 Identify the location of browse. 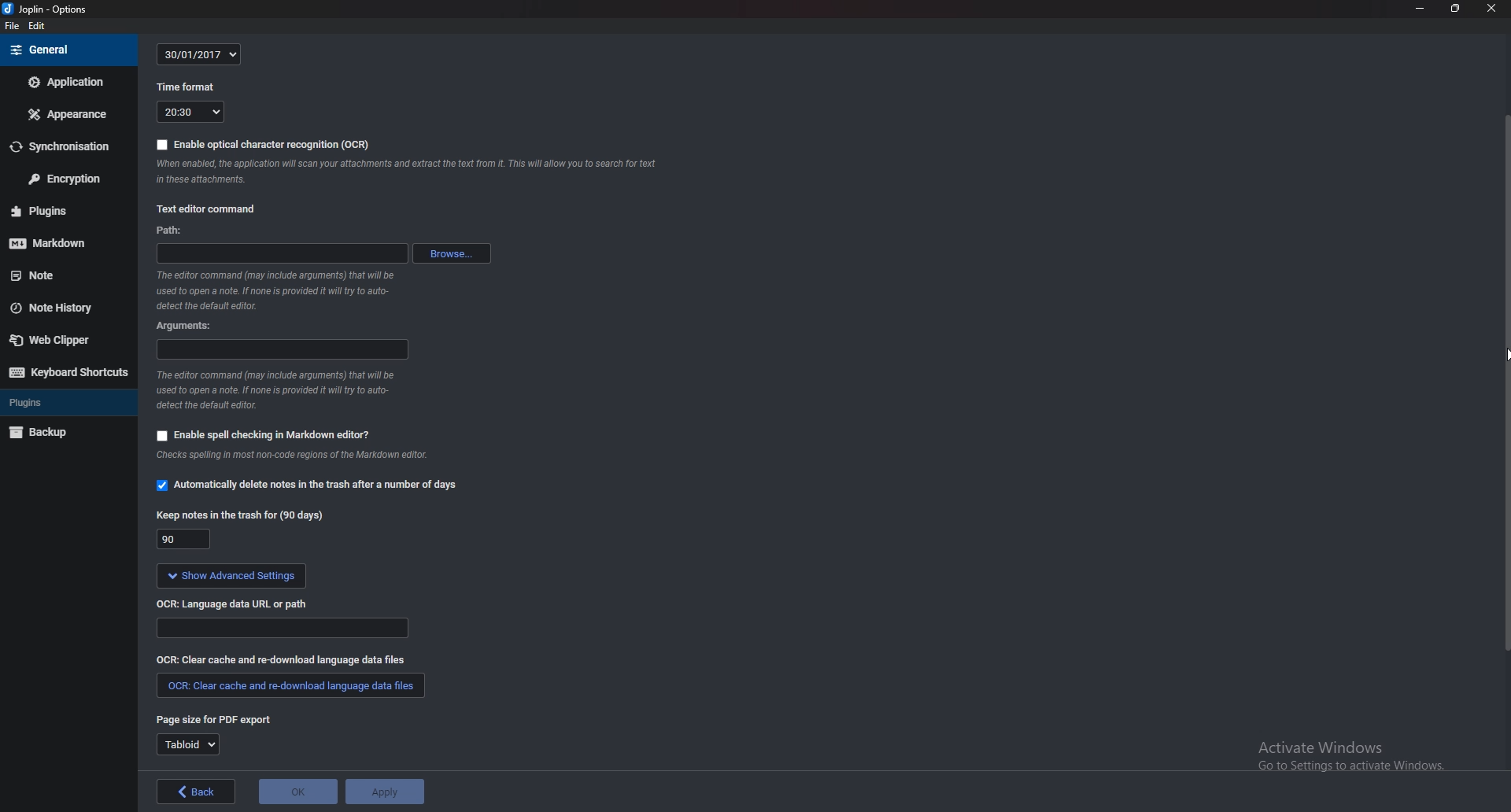
(449, 253).